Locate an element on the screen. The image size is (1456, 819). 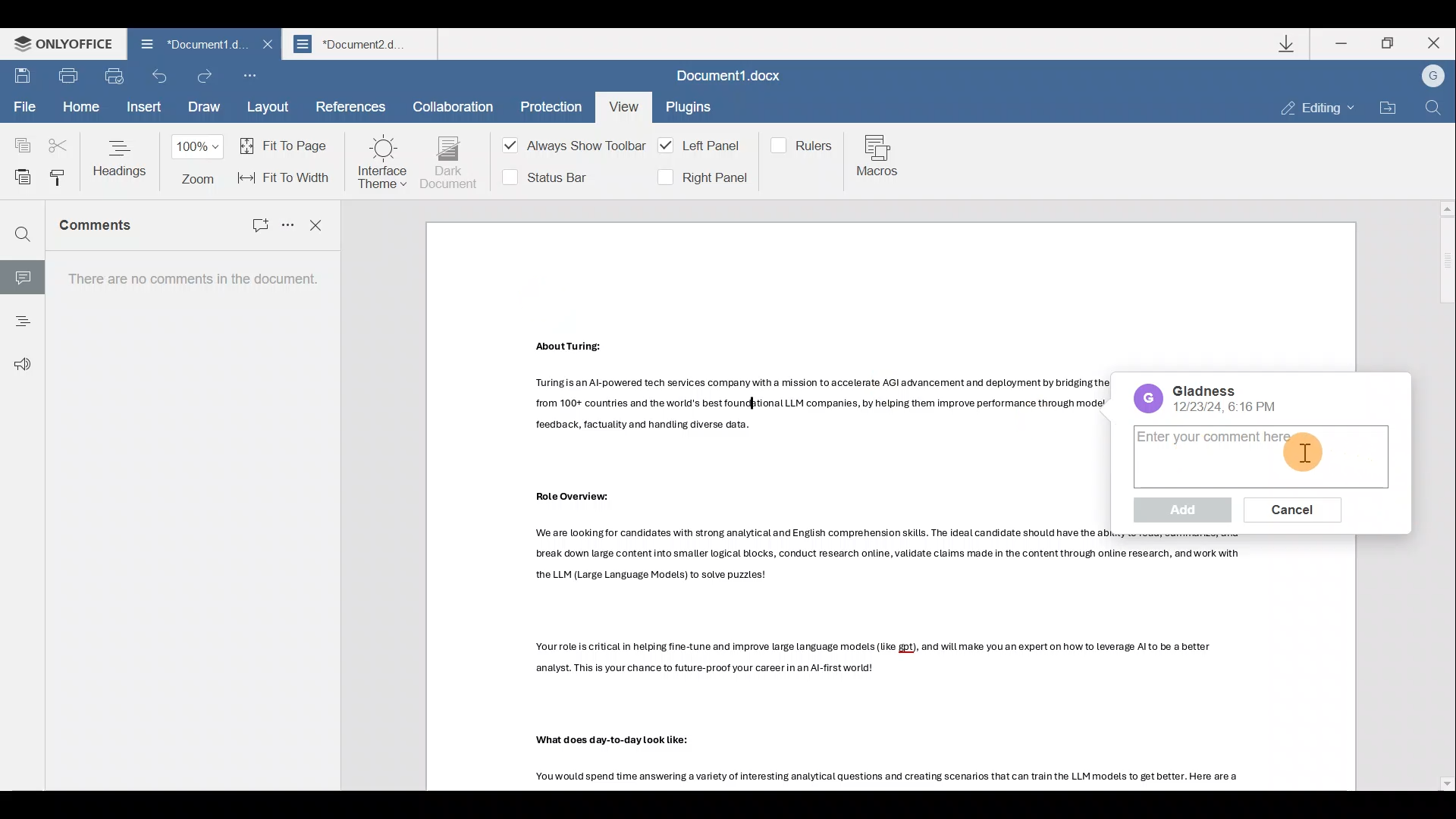
Headings is located at coordinates (21, 316).